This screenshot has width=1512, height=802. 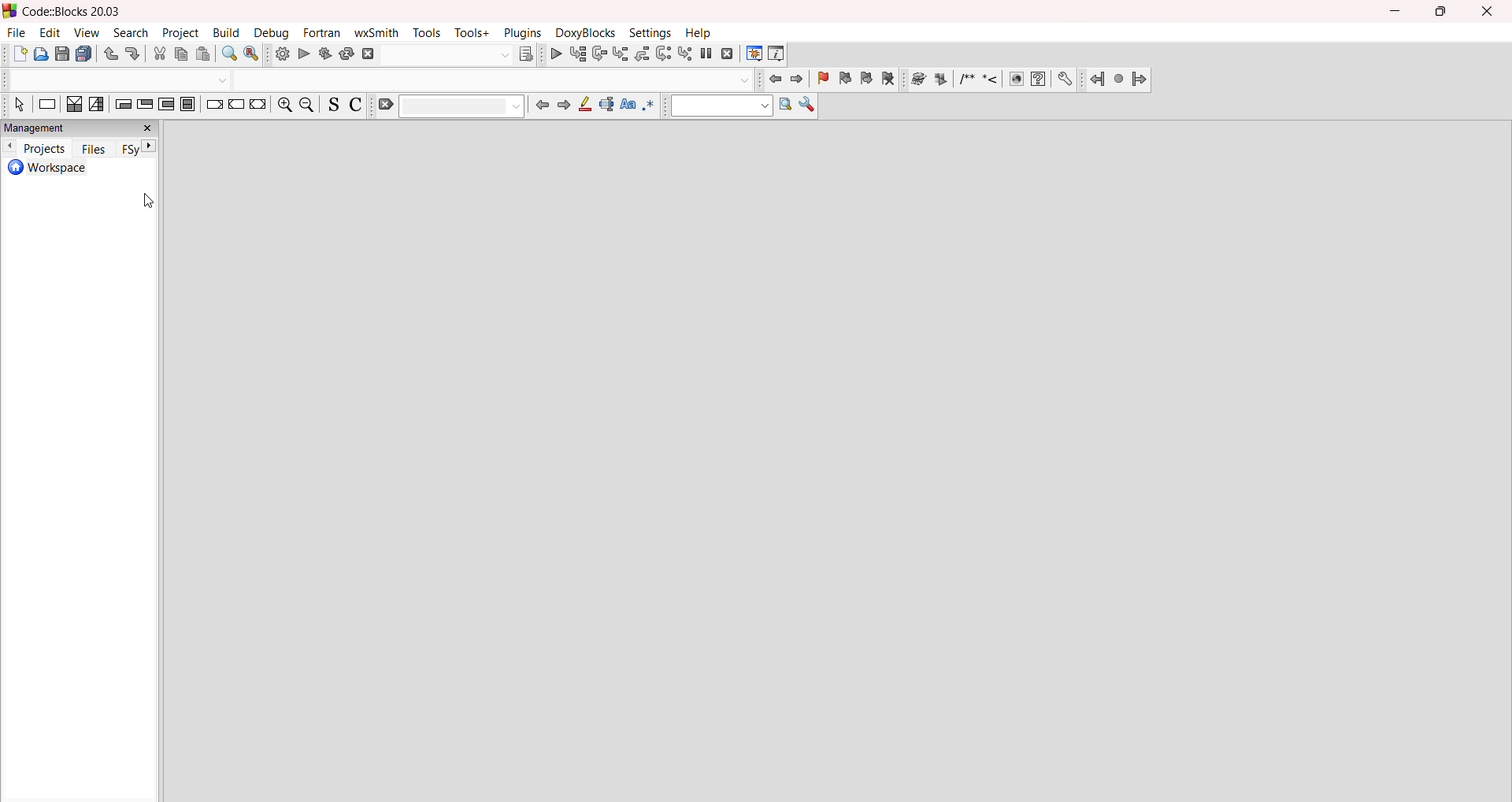 I want to click on debug continue, so click(x=554, y=54).